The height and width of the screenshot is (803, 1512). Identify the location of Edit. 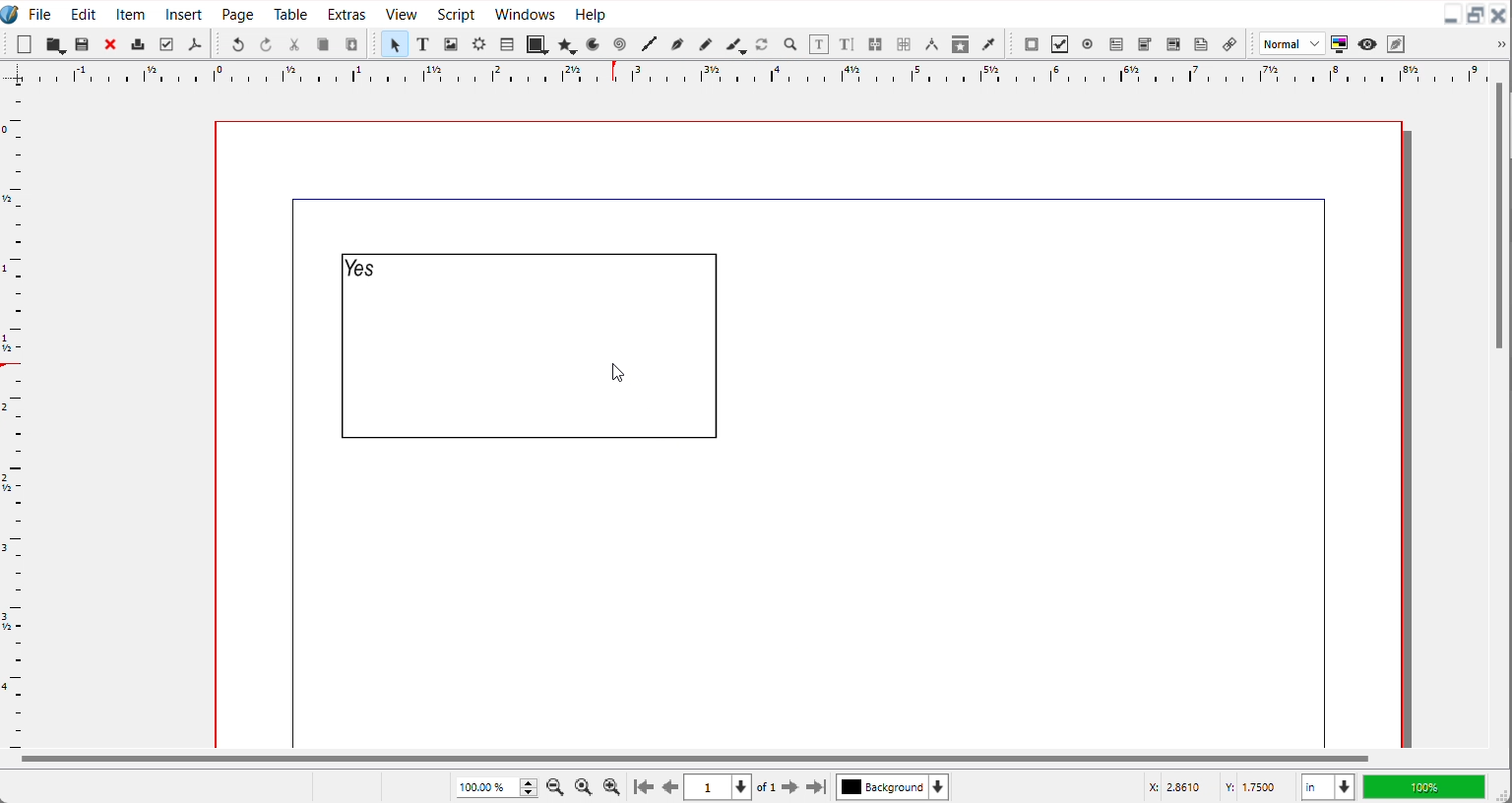
(81, 13).